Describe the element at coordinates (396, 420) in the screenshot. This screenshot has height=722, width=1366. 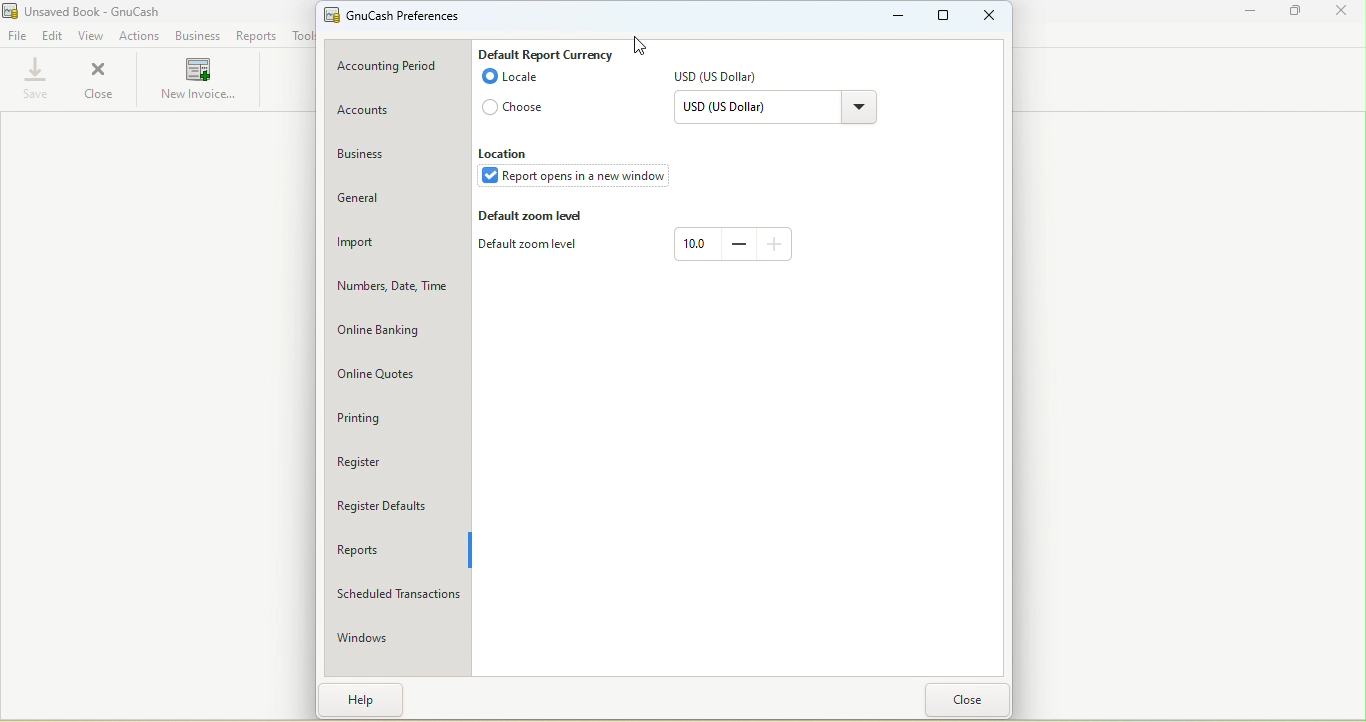
I see `Printing` at that location.